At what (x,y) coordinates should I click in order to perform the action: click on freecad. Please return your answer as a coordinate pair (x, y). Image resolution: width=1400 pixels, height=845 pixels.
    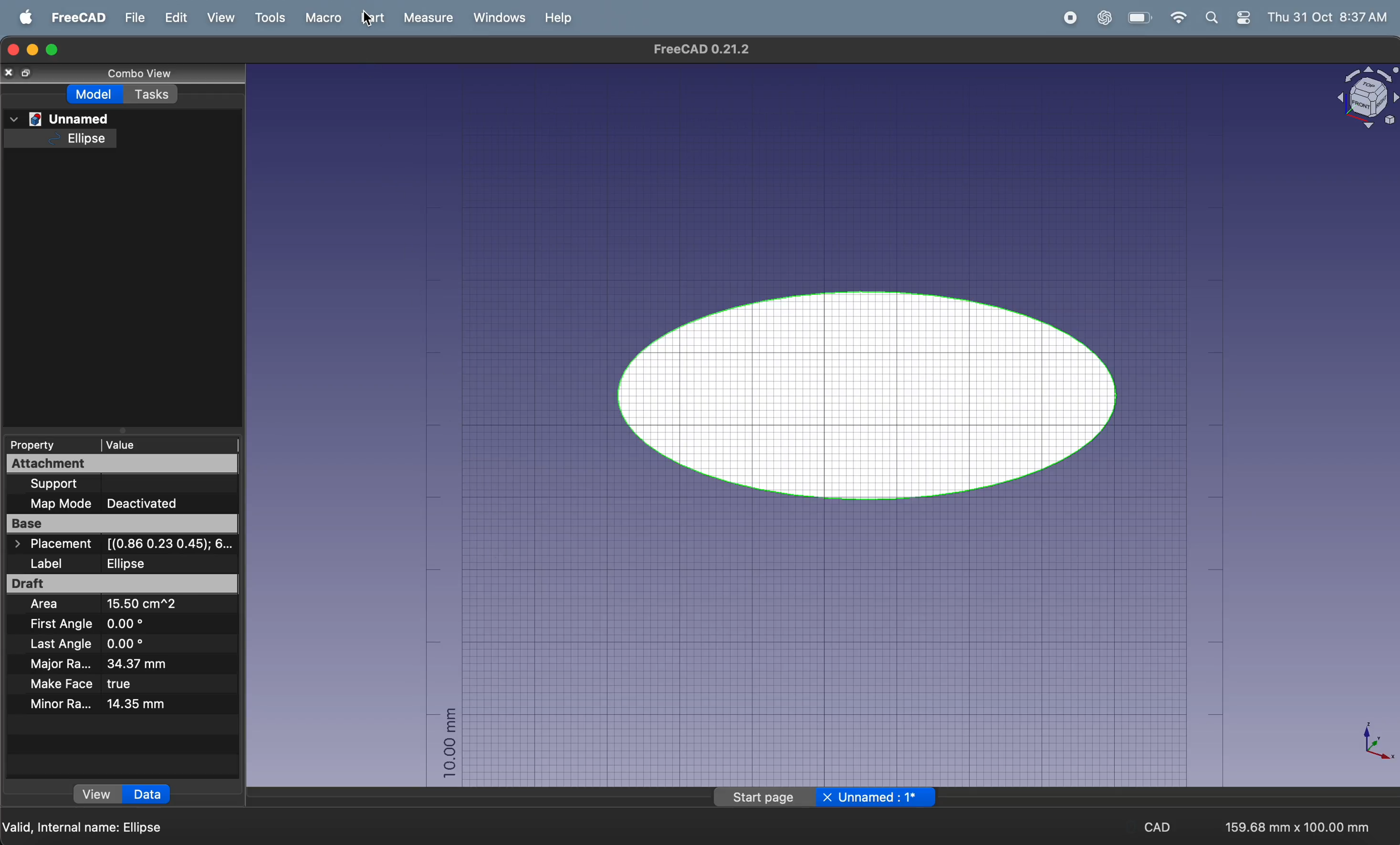
    Looking at the image, I should click on (74, 19).